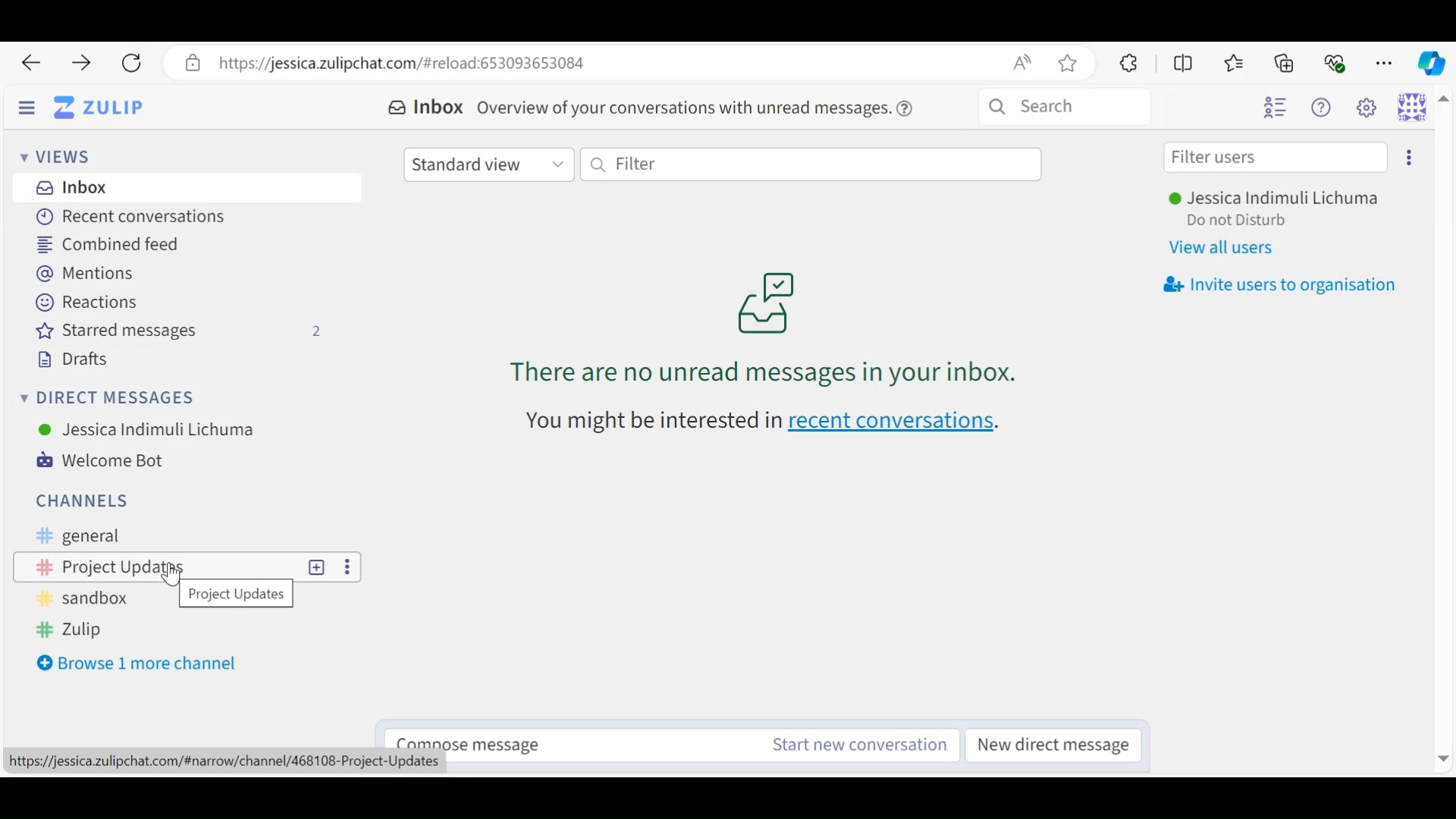 The height and width of the screenshot is (819, 1456). I want to click on Go back, so click(30, 63).